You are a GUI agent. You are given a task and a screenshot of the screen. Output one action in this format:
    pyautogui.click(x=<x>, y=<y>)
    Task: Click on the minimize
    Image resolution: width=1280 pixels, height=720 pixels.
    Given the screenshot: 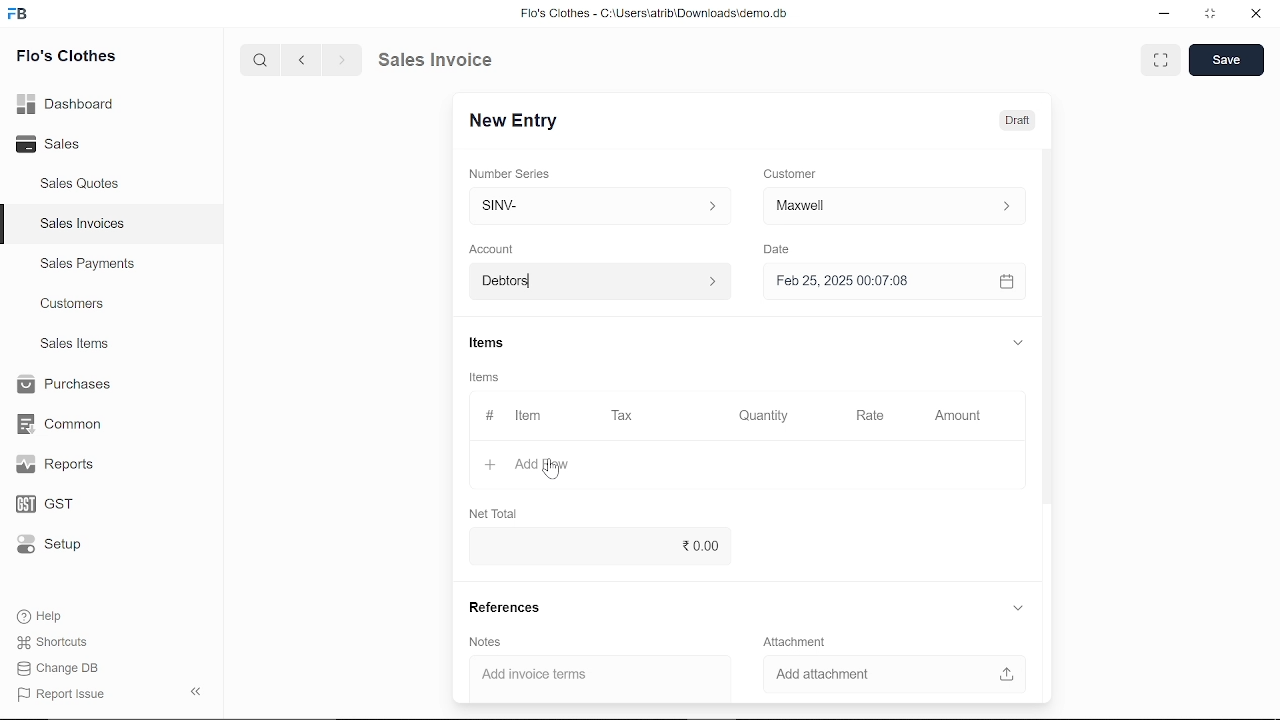 What is the action you would take?
    pyautogui.click(x=1165, y=16)
    